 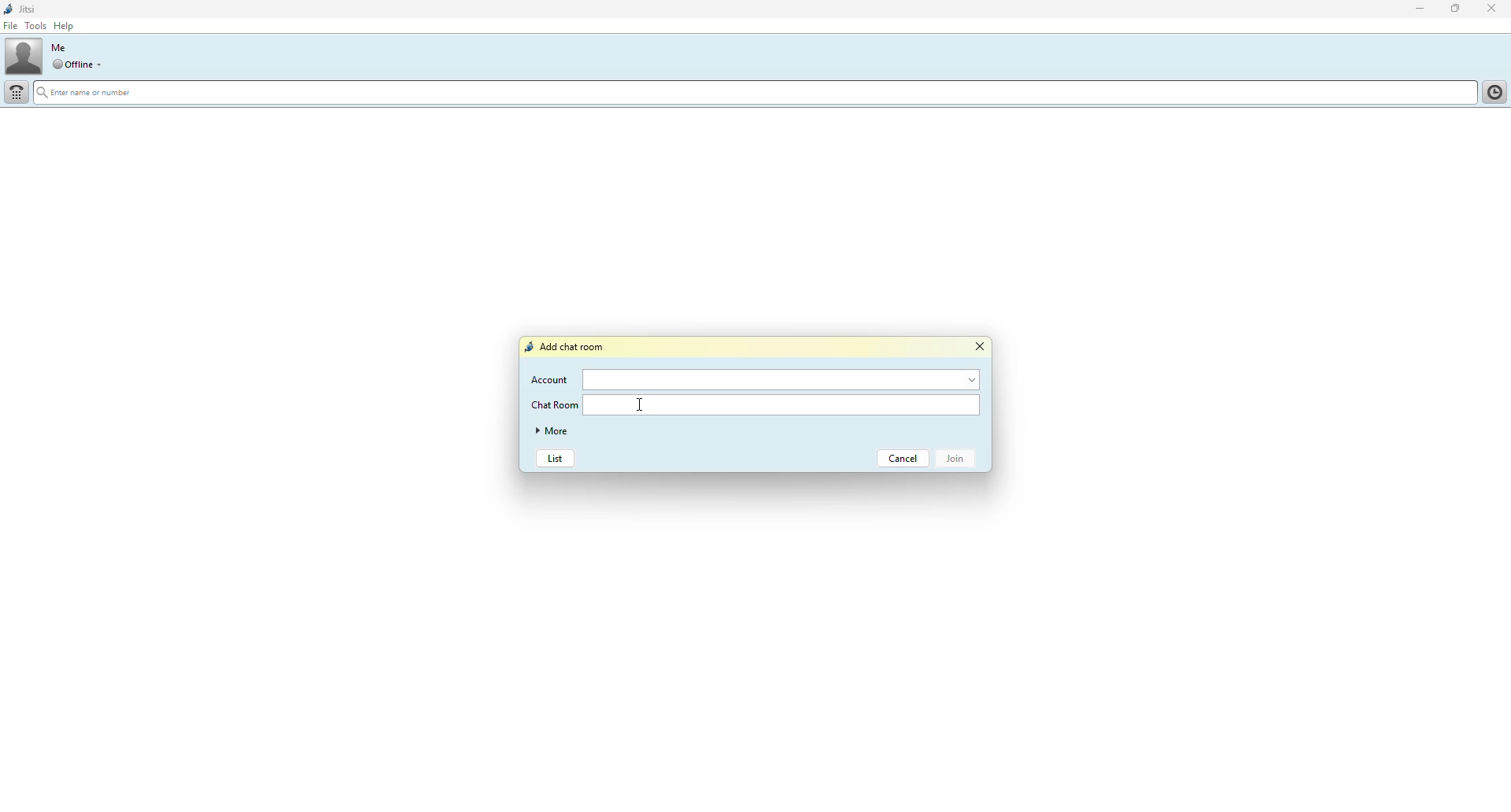 I want to click on file, so click(x=12, y=26).